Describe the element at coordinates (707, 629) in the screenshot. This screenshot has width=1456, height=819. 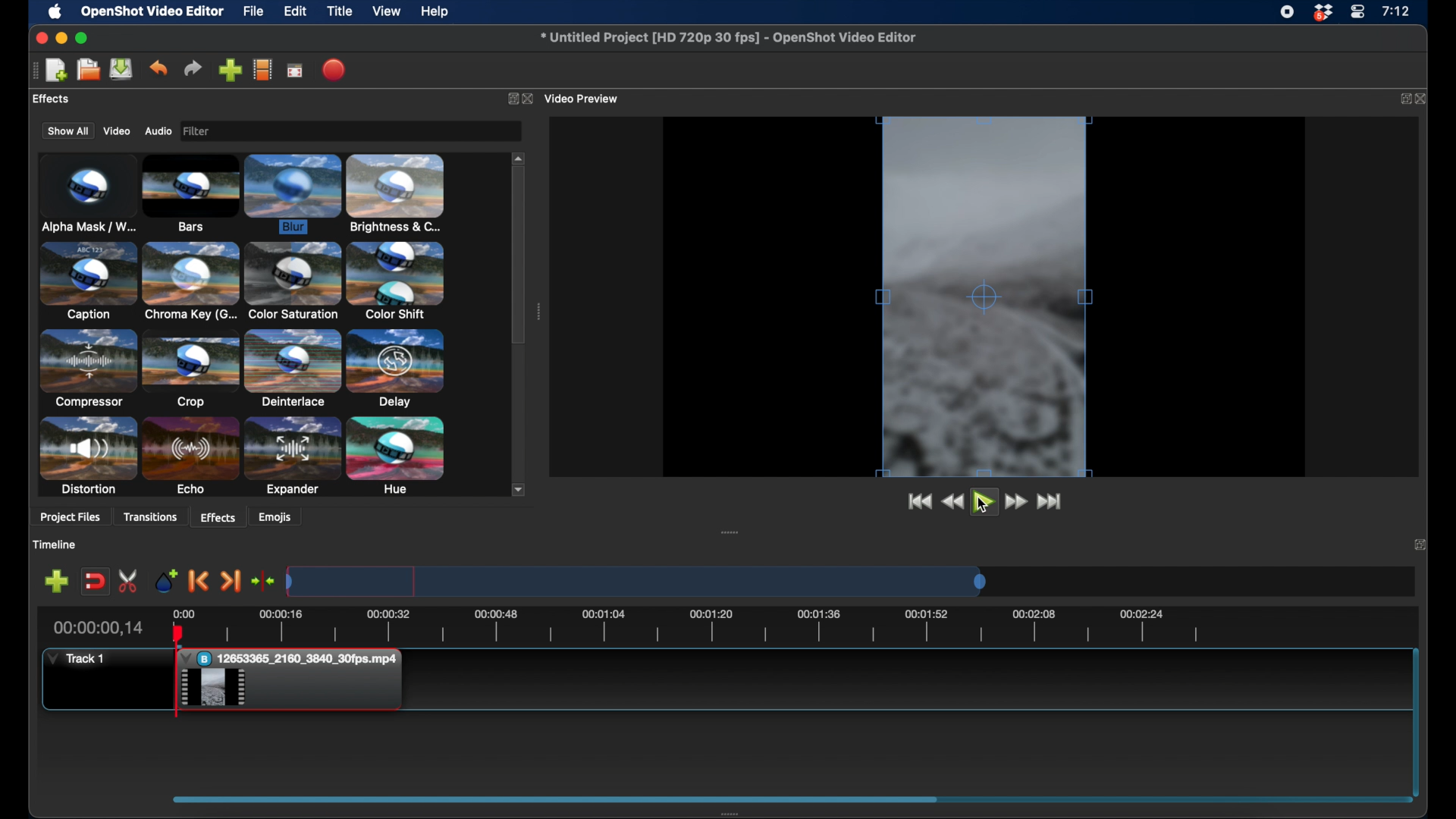
I see `timeline` at that location.